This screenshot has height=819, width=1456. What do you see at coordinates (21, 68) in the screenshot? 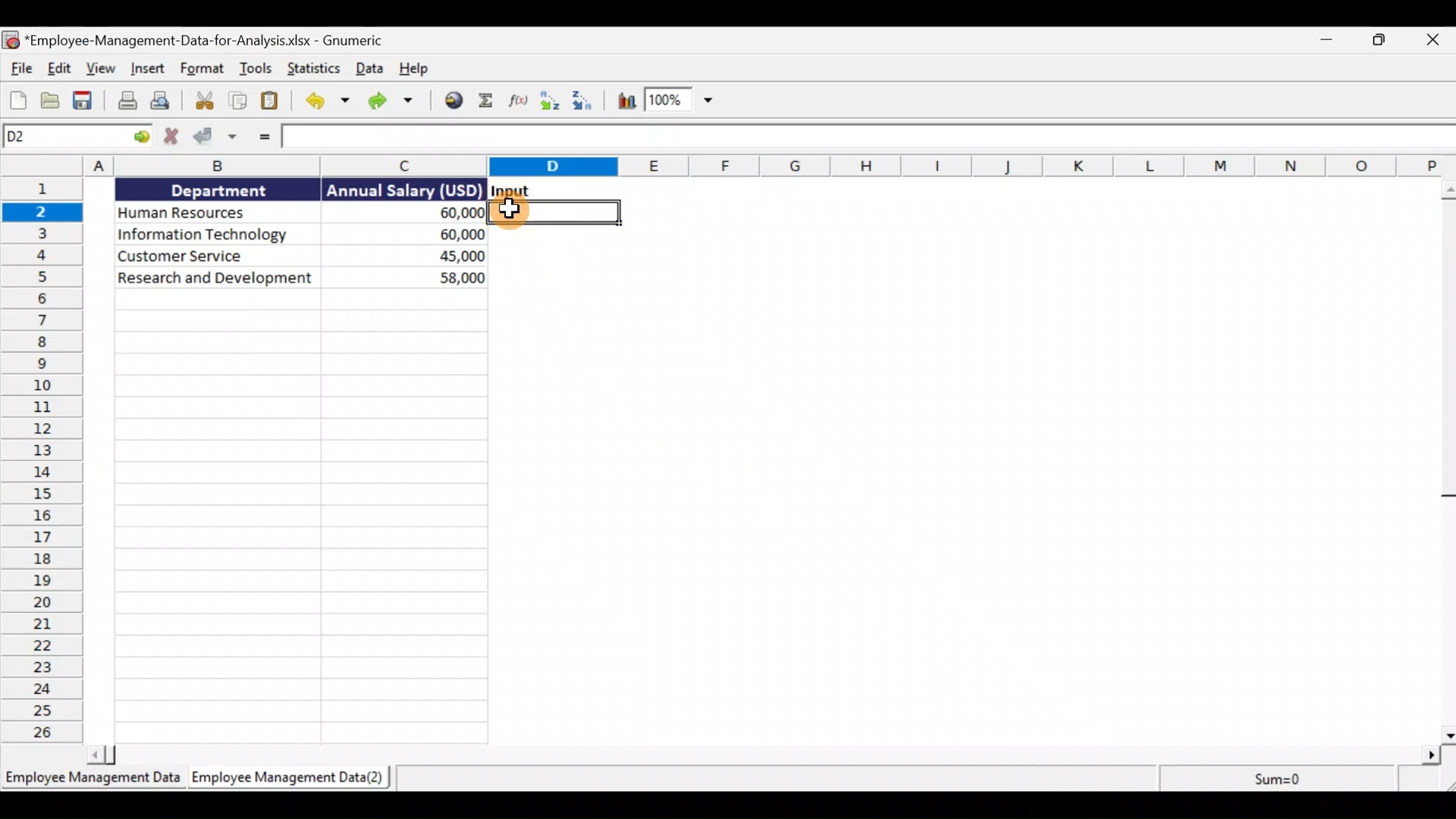
I see `File` at bounding box center [21, 68].